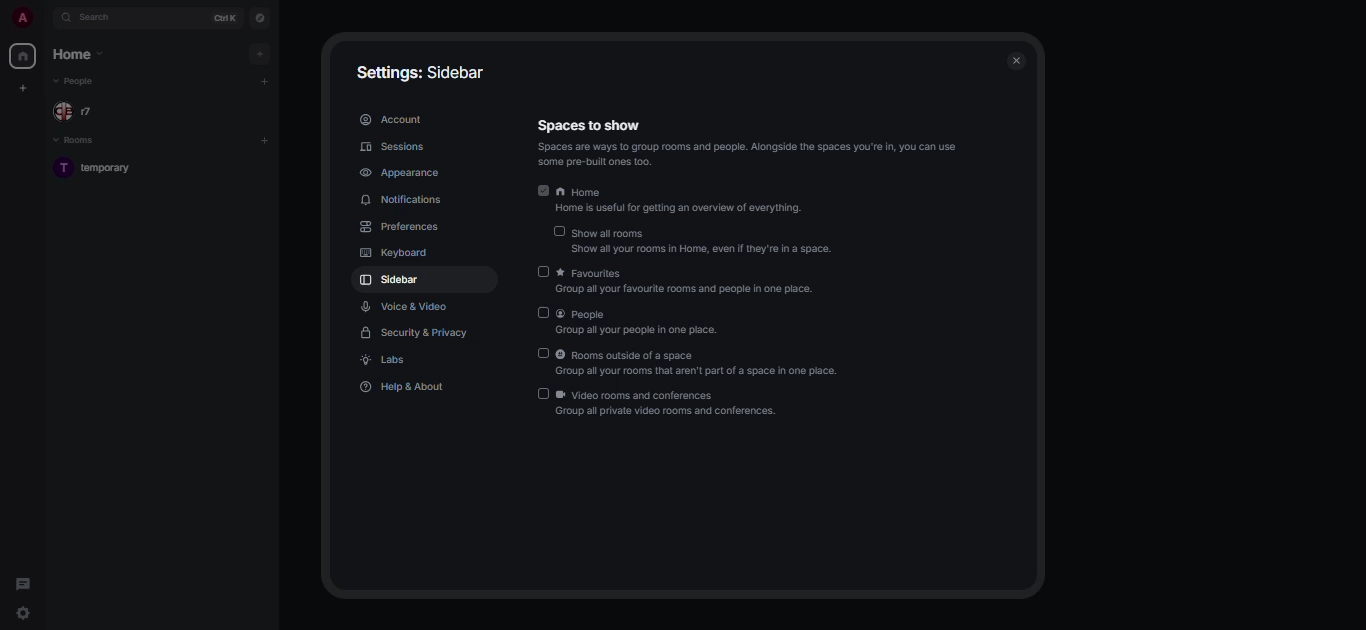 This screenshot has width=1366, height=630. What do you see at coordinates (684, 191) in the screenshot?
I see `home` at bounding box center [684, 191].